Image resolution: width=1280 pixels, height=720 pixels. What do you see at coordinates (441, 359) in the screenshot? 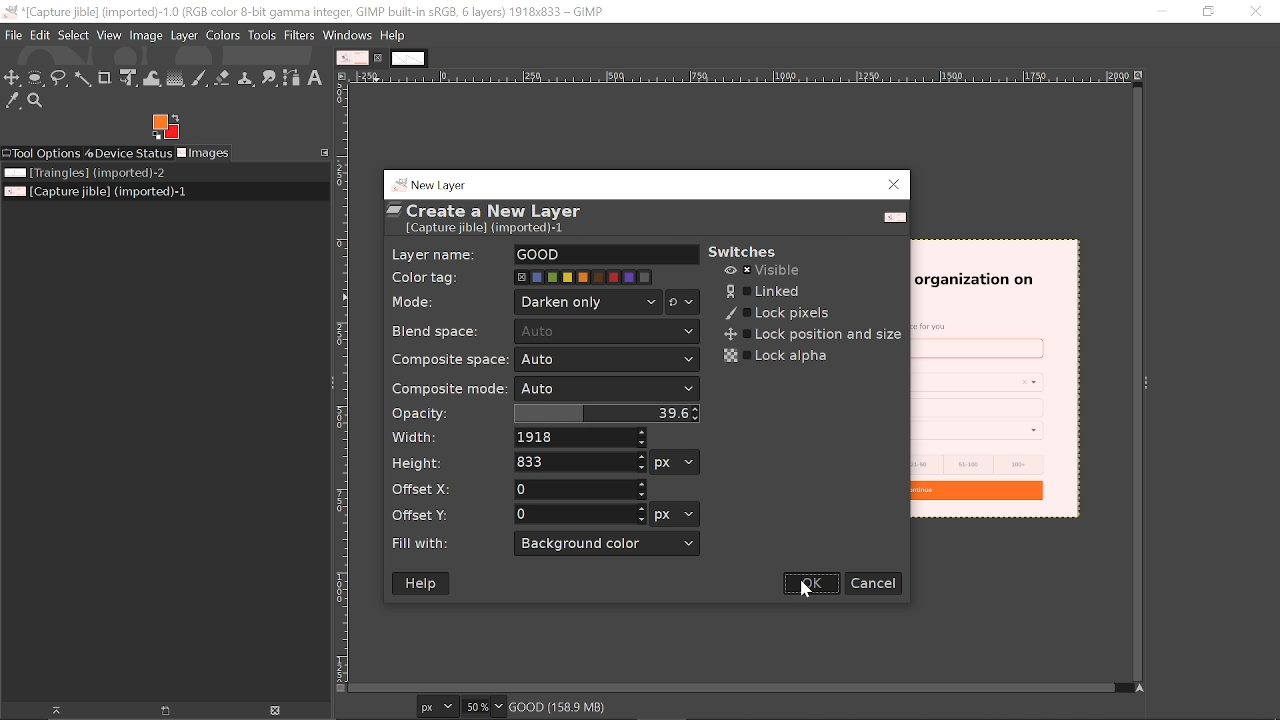
I see `Composite space:` at bounding box center [441, 359].